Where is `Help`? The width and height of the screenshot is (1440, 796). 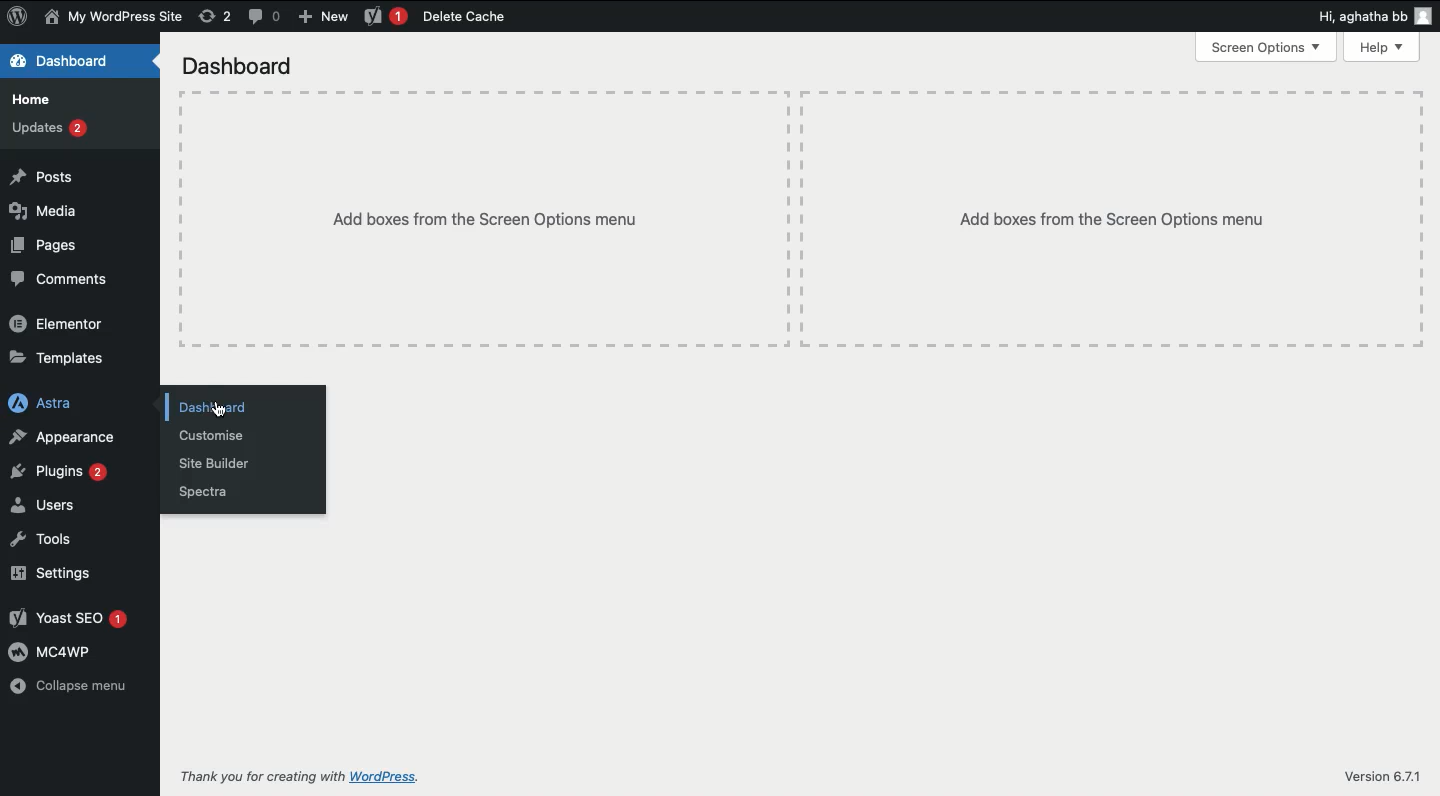 Help is located at coordinates (1381, 48).